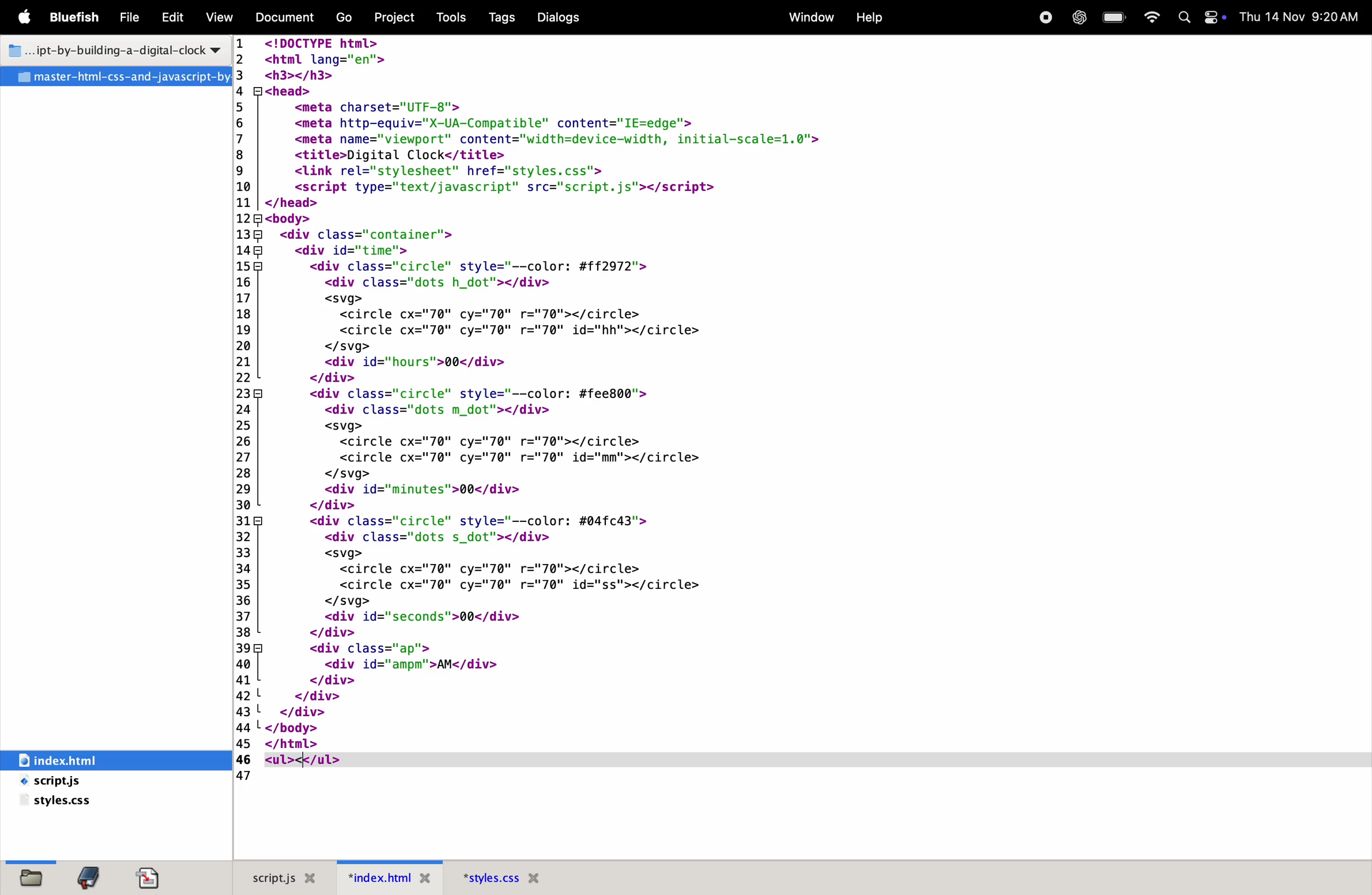 Image resolution: width=1372 pixels, height=895 pixels. Describe the element at coordinates (1076, 18) in the screenshot. I see `Chatgpt` at that location.